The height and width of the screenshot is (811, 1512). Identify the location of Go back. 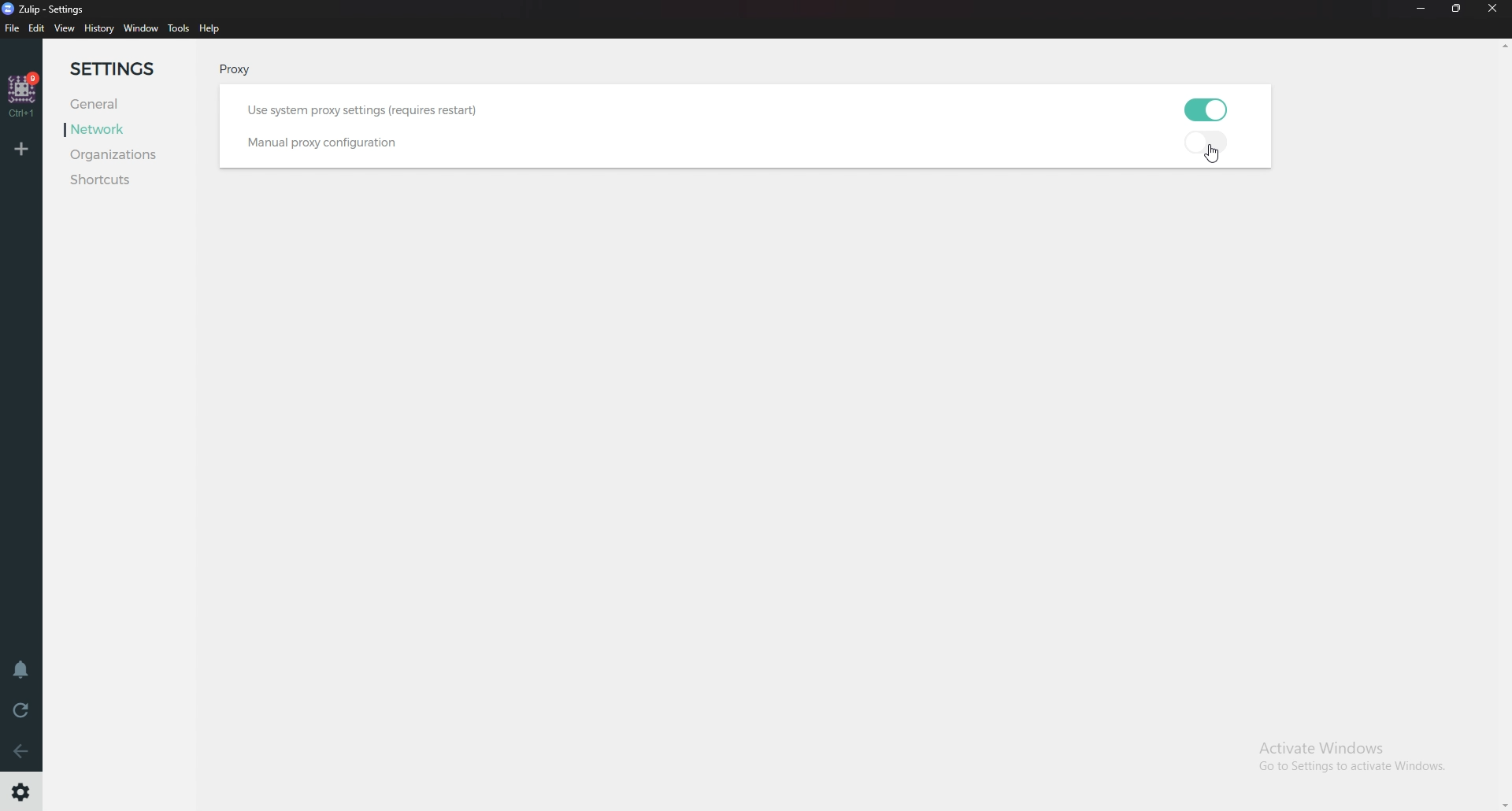
(22, 750).